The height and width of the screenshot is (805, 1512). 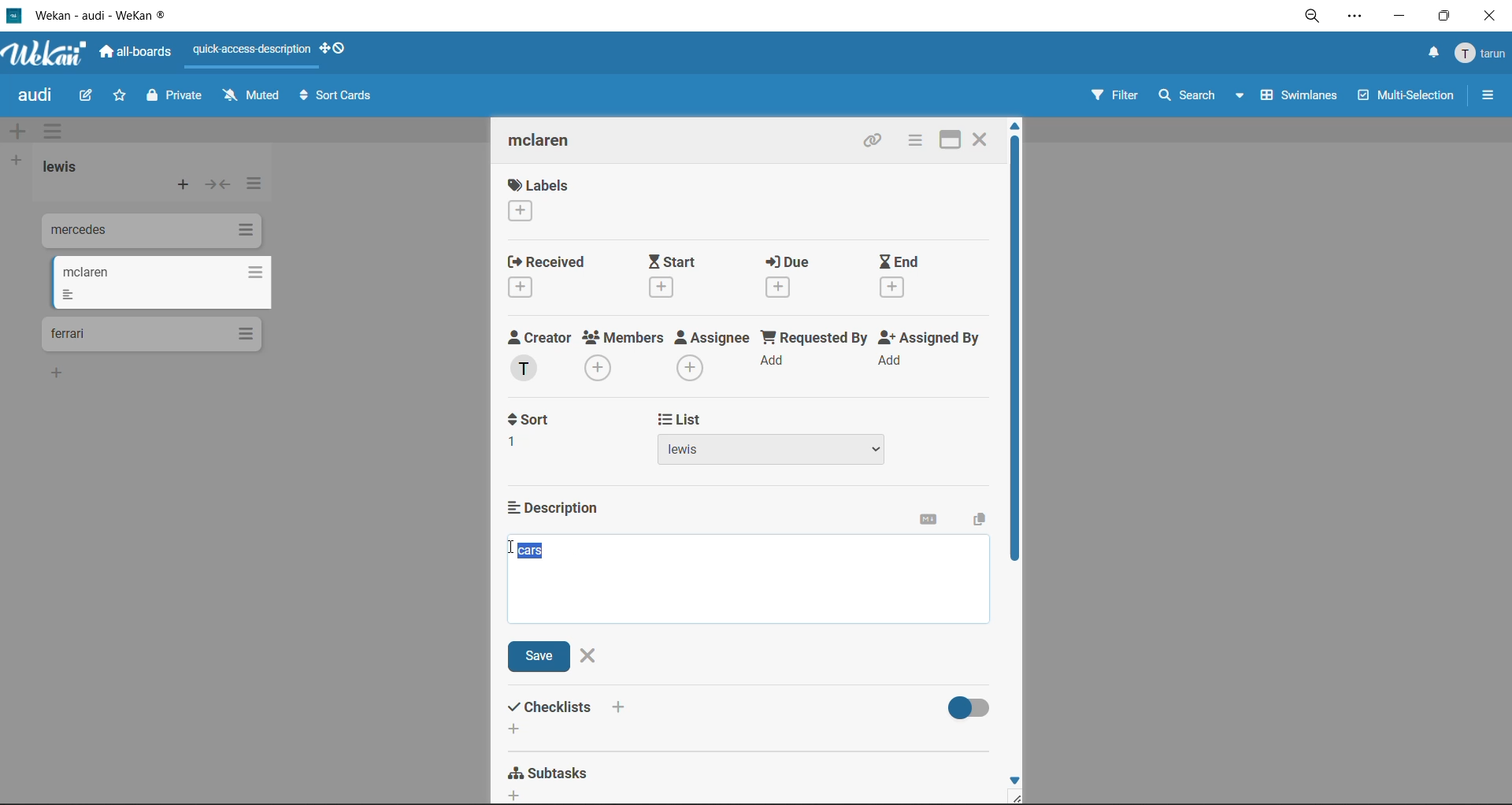 I want to click on board title, so click(x=39, y=95).